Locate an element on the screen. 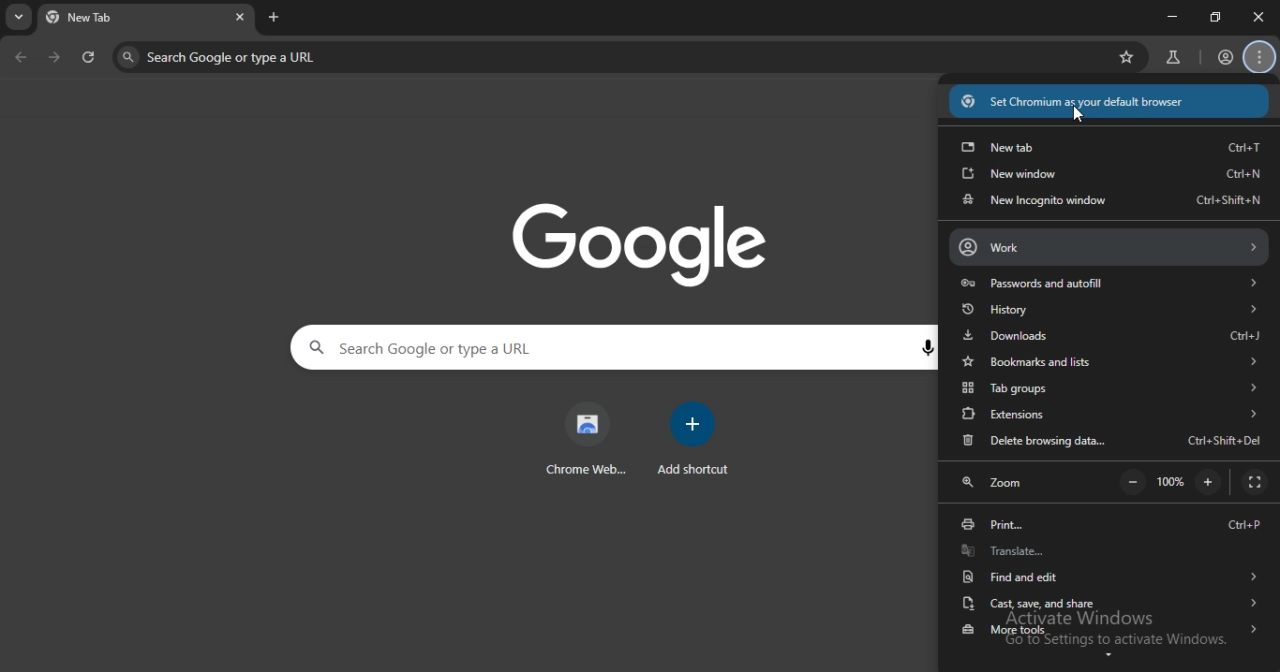 Image resolution: width=1280 pixels, height=672 pixels. search labs is located at coordinates (1175, 55).